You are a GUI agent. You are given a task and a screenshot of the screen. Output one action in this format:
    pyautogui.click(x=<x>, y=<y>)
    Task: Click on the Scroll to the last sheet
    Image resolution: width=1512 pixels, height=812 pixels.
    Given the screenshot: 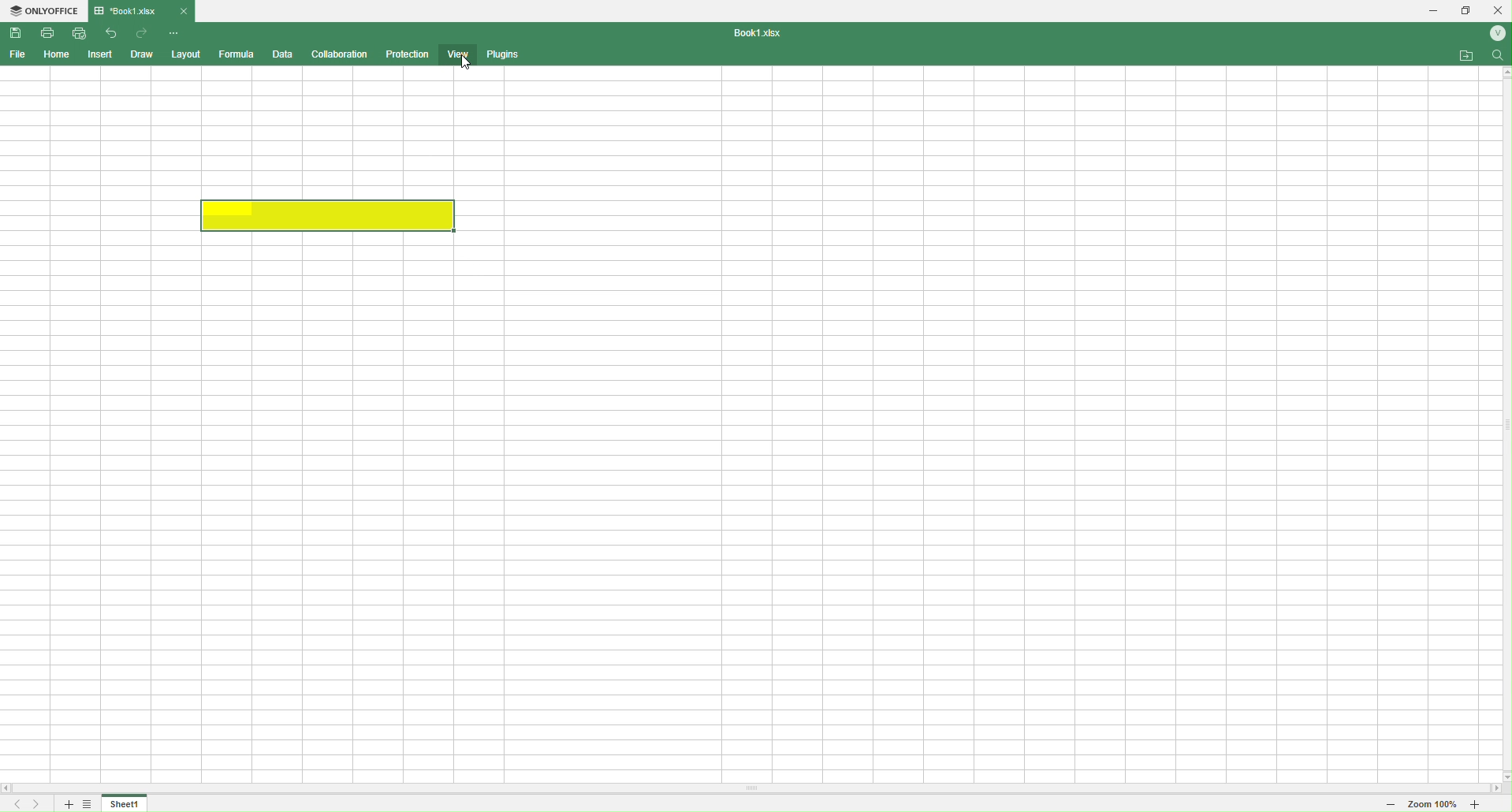 What is the action you would take?
    pyautogui.click(x=39, y=804)
    